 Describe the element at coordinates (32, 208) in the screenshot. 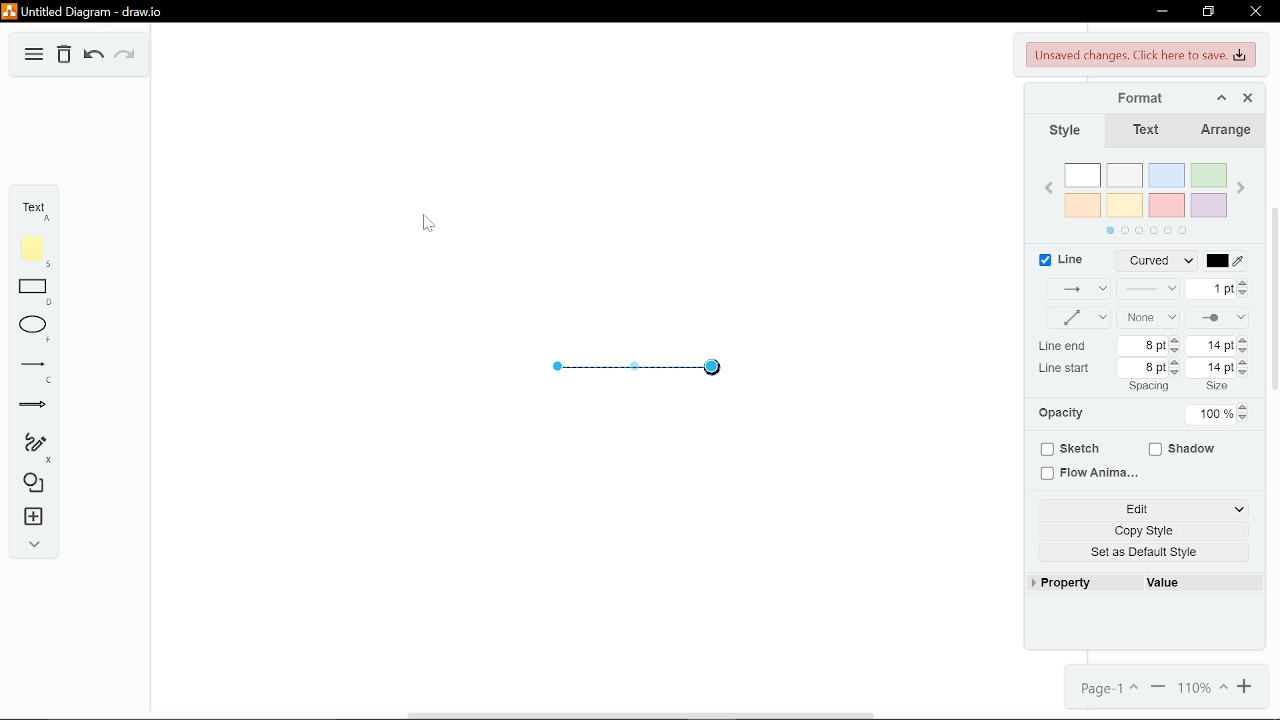

I see `Text` at that location.